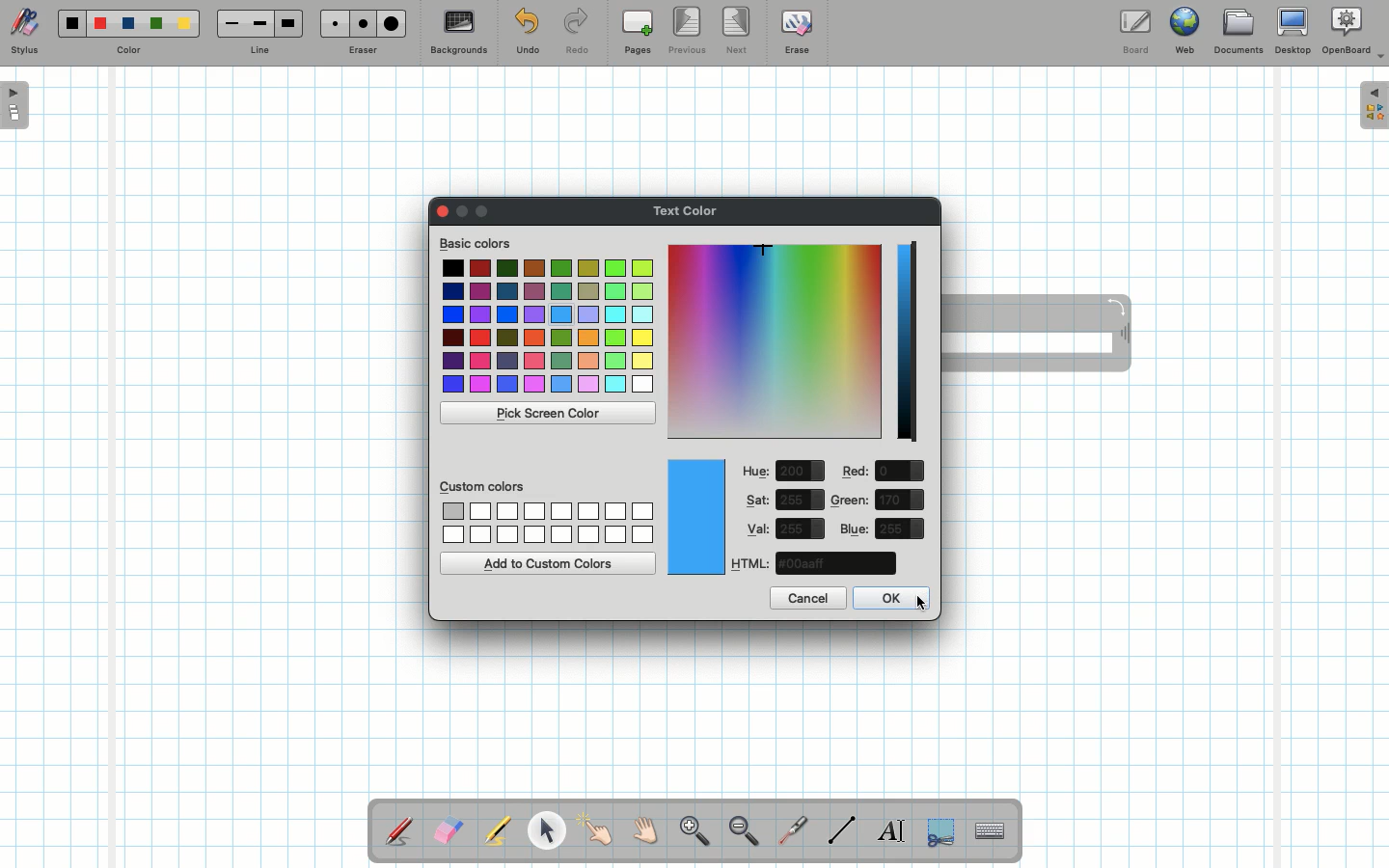 This screenshot has width=1389, height=868. I want to click on Colors, so click(548, 328).